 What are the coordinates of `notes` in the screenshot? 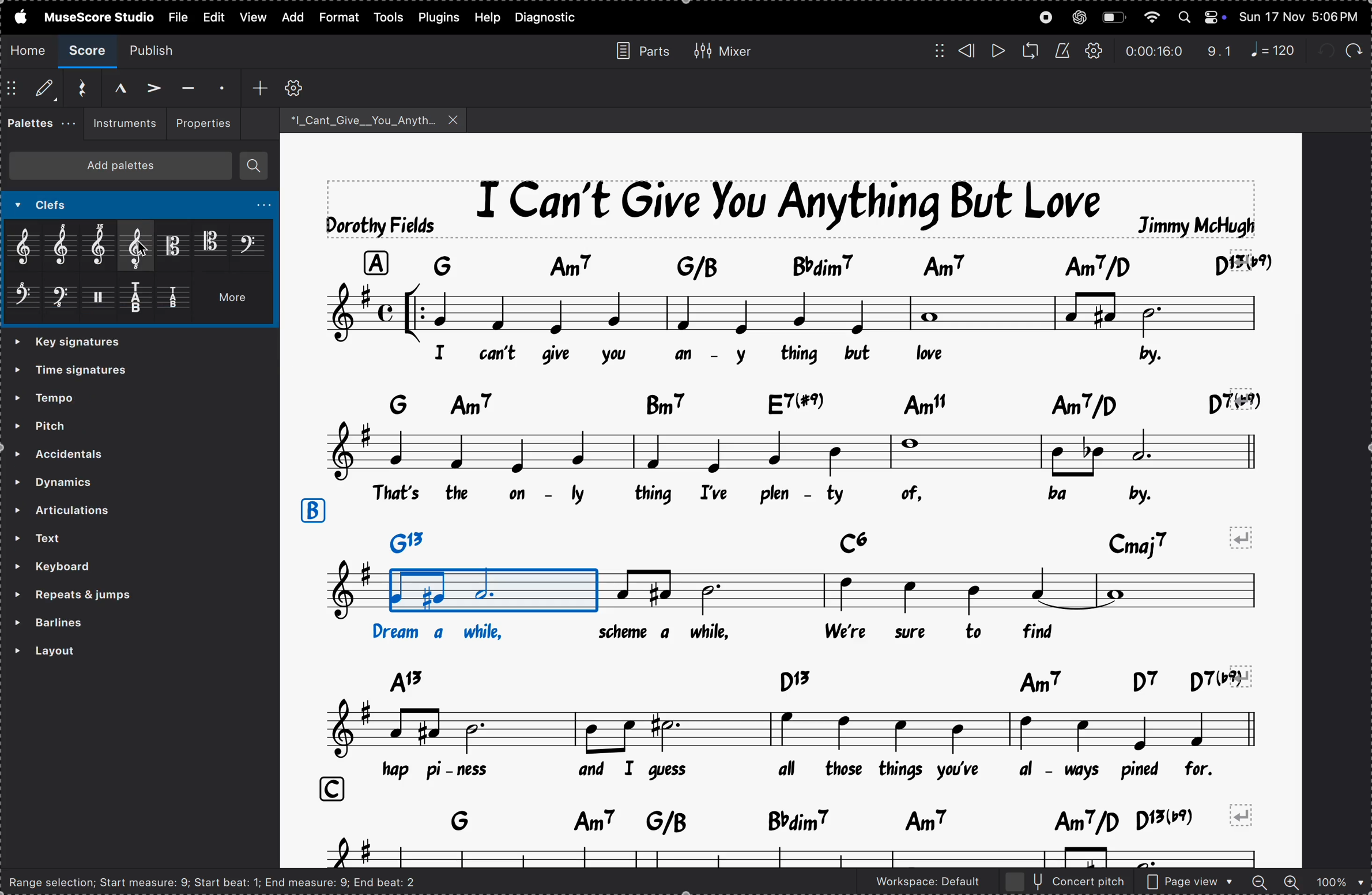 It's located at (789, 729).